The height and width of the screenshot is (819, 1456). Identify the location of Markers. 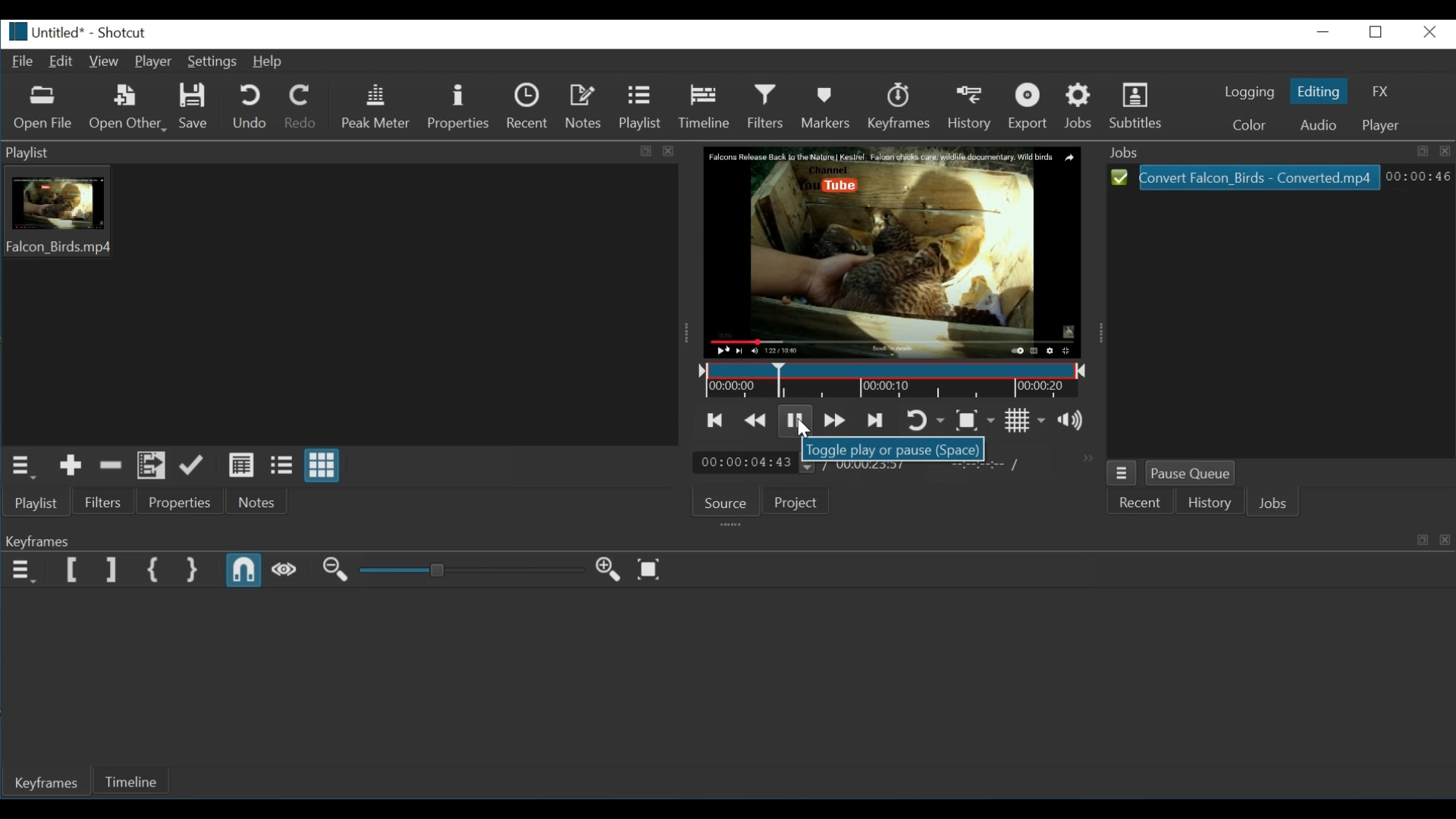
(826, 108).